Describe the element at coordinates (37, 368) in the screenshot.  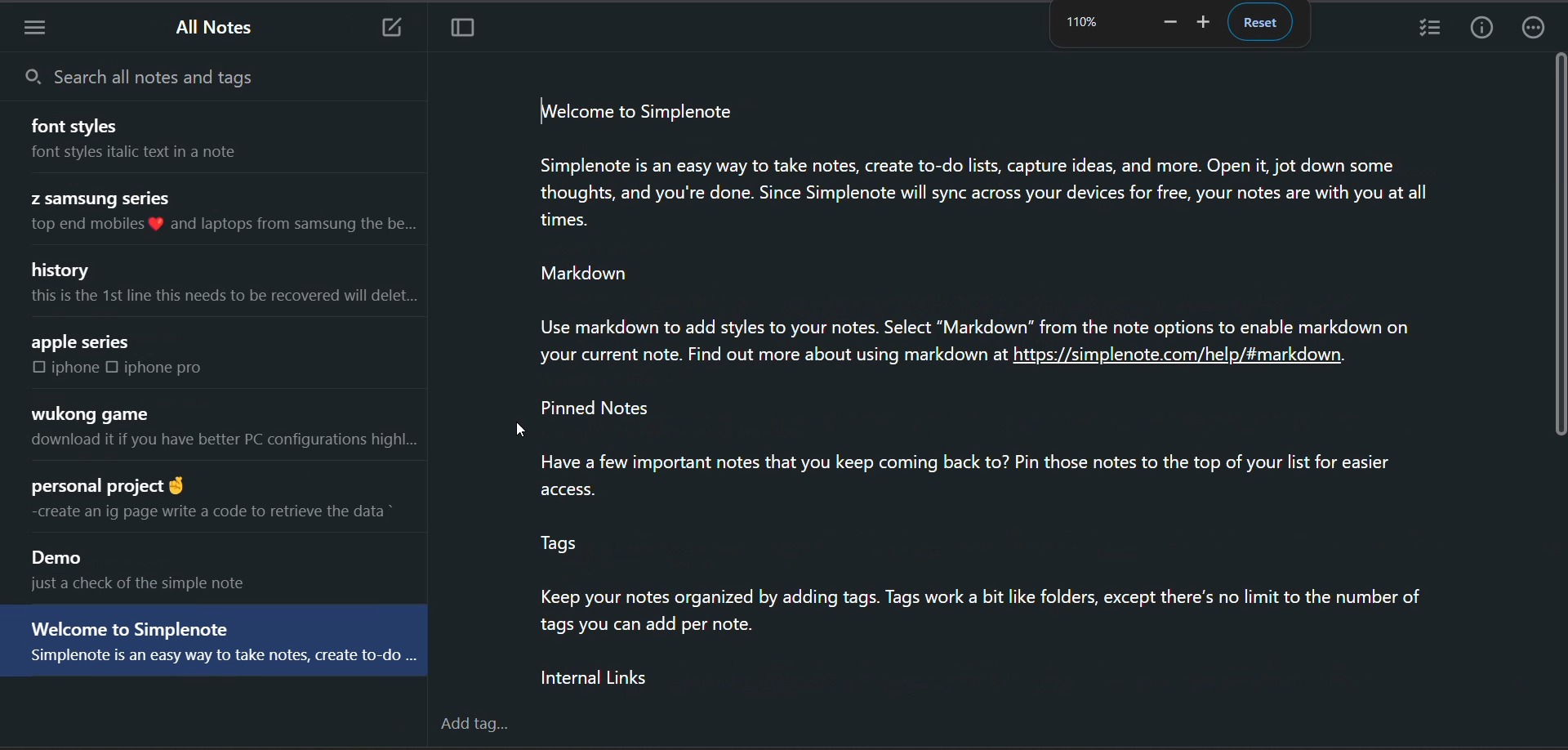
I see `checkbox` at that location.